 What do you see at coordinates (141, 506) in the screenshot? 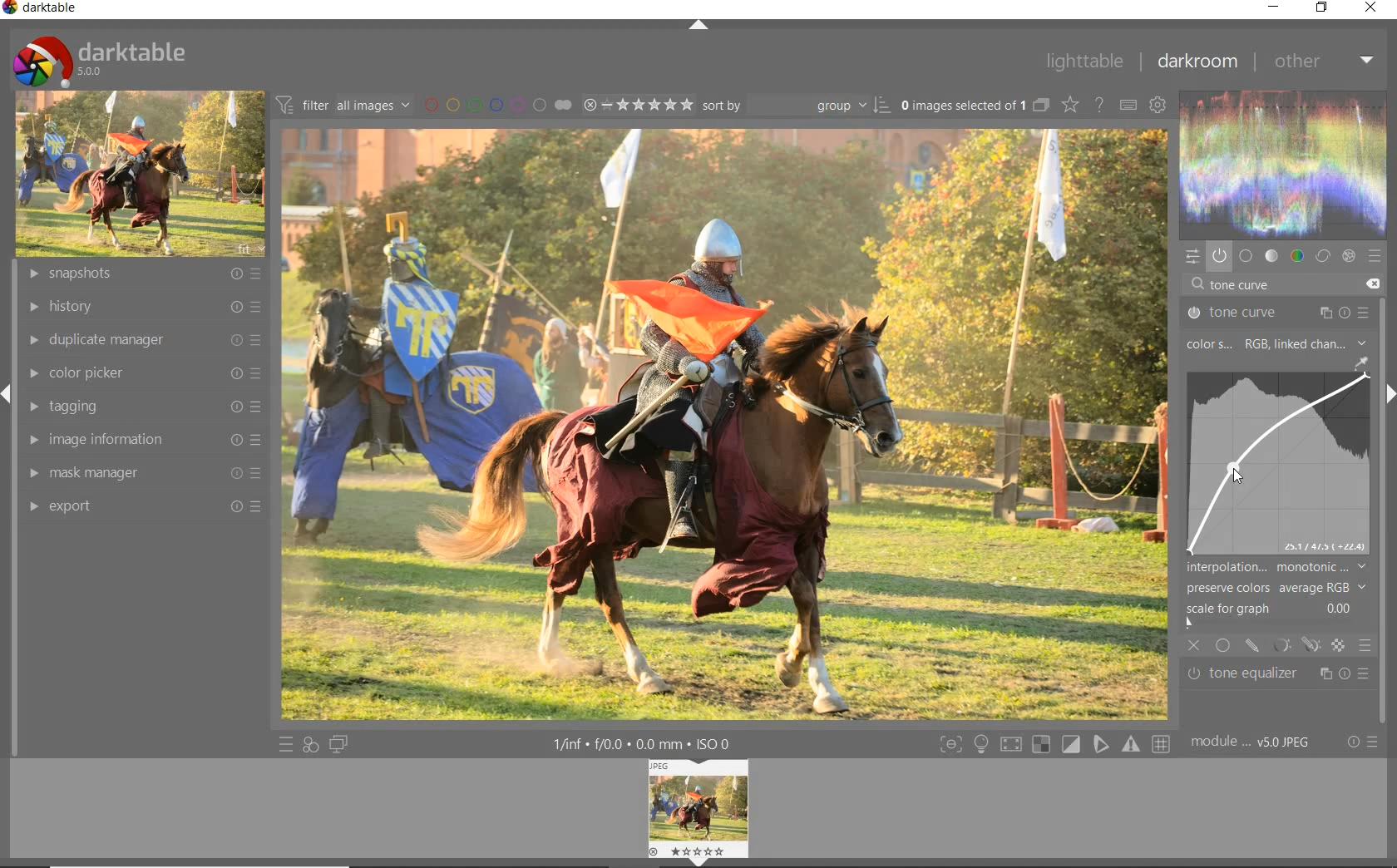
I see `export` at bounding box center [141, 506].